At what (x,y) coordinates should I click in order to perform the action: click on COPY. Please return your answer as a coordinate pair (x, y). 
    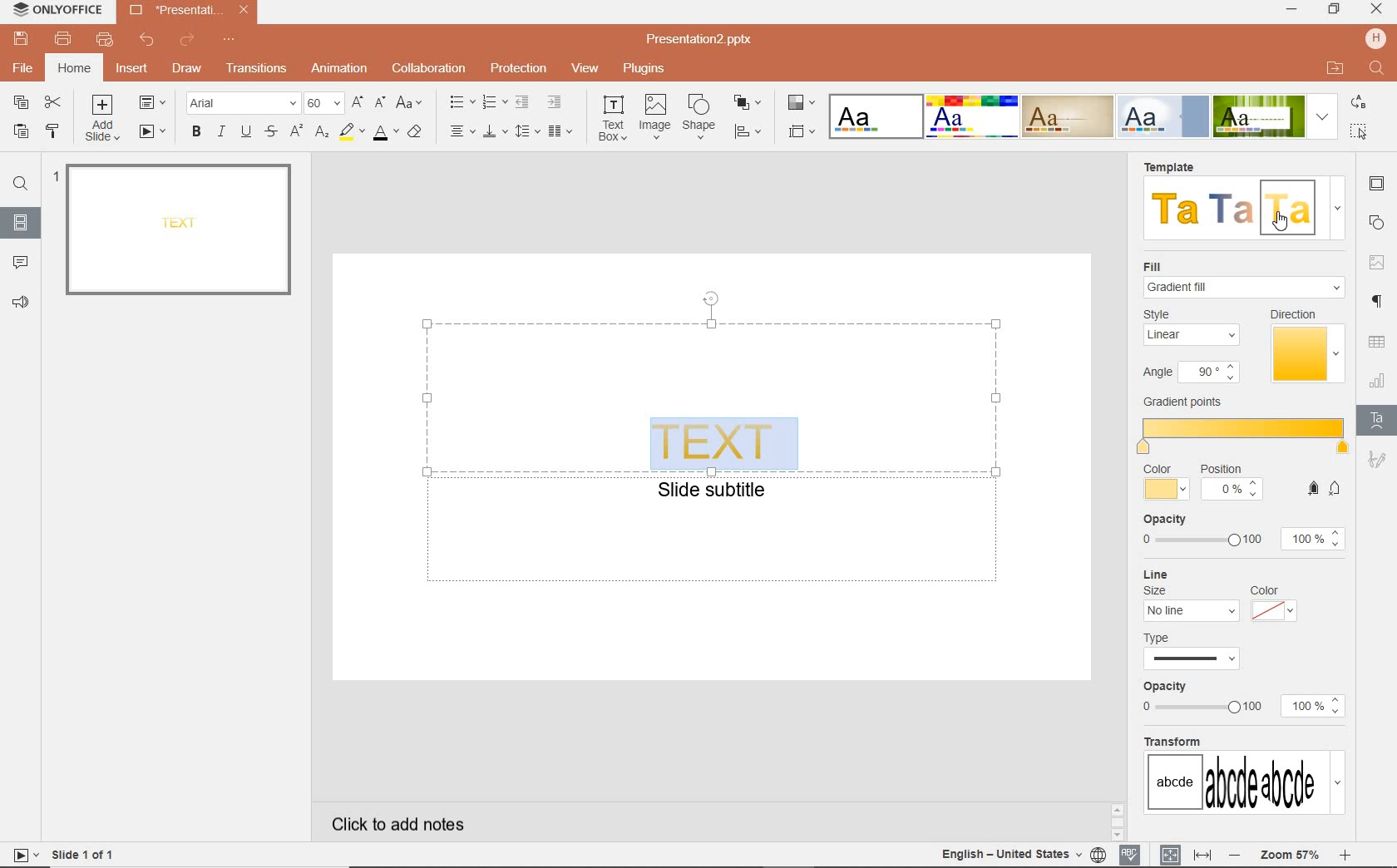
    Looking at the image, I should click on (22, 104).